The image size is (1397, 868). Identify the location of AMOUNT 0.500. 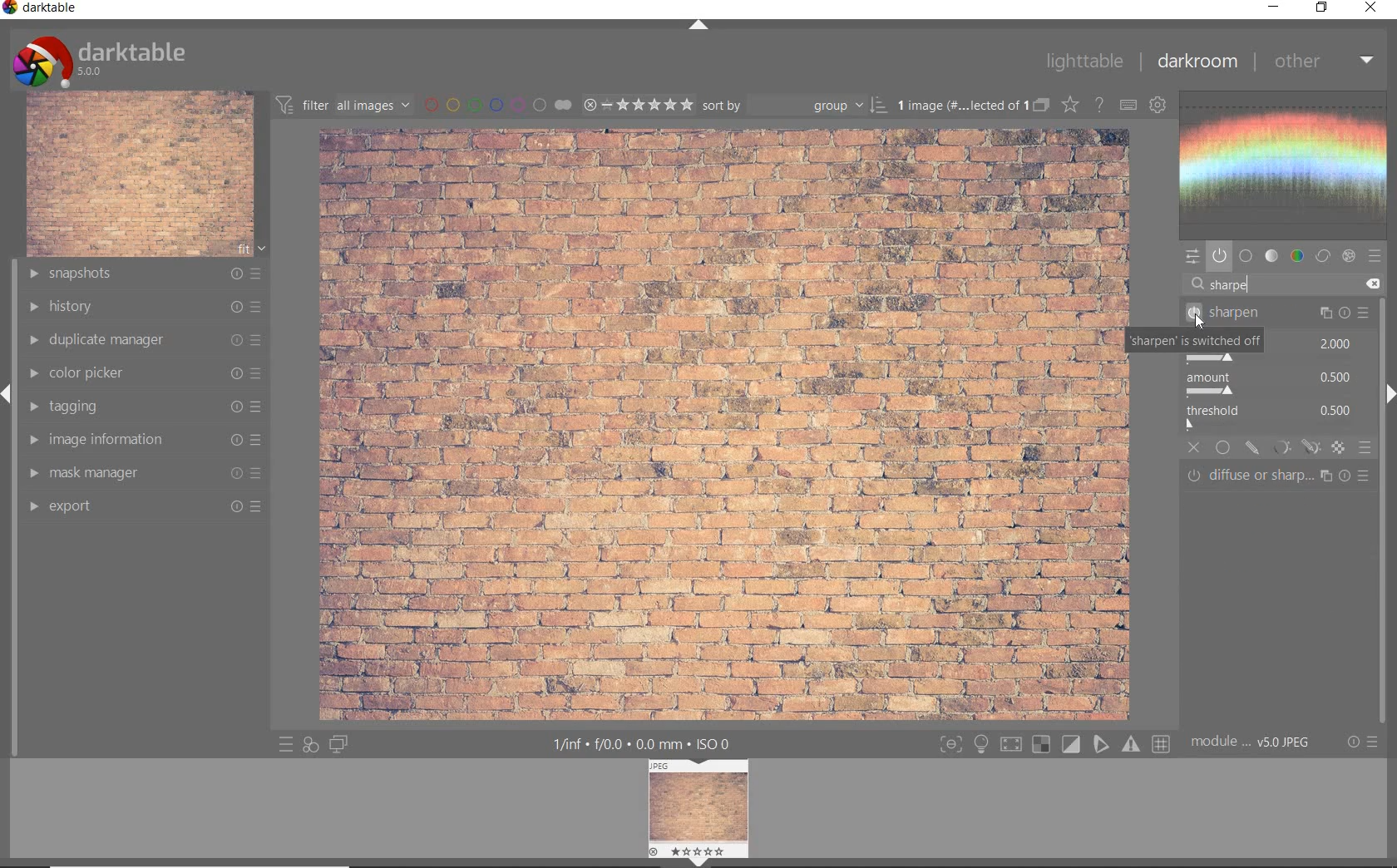
(1276, 384).